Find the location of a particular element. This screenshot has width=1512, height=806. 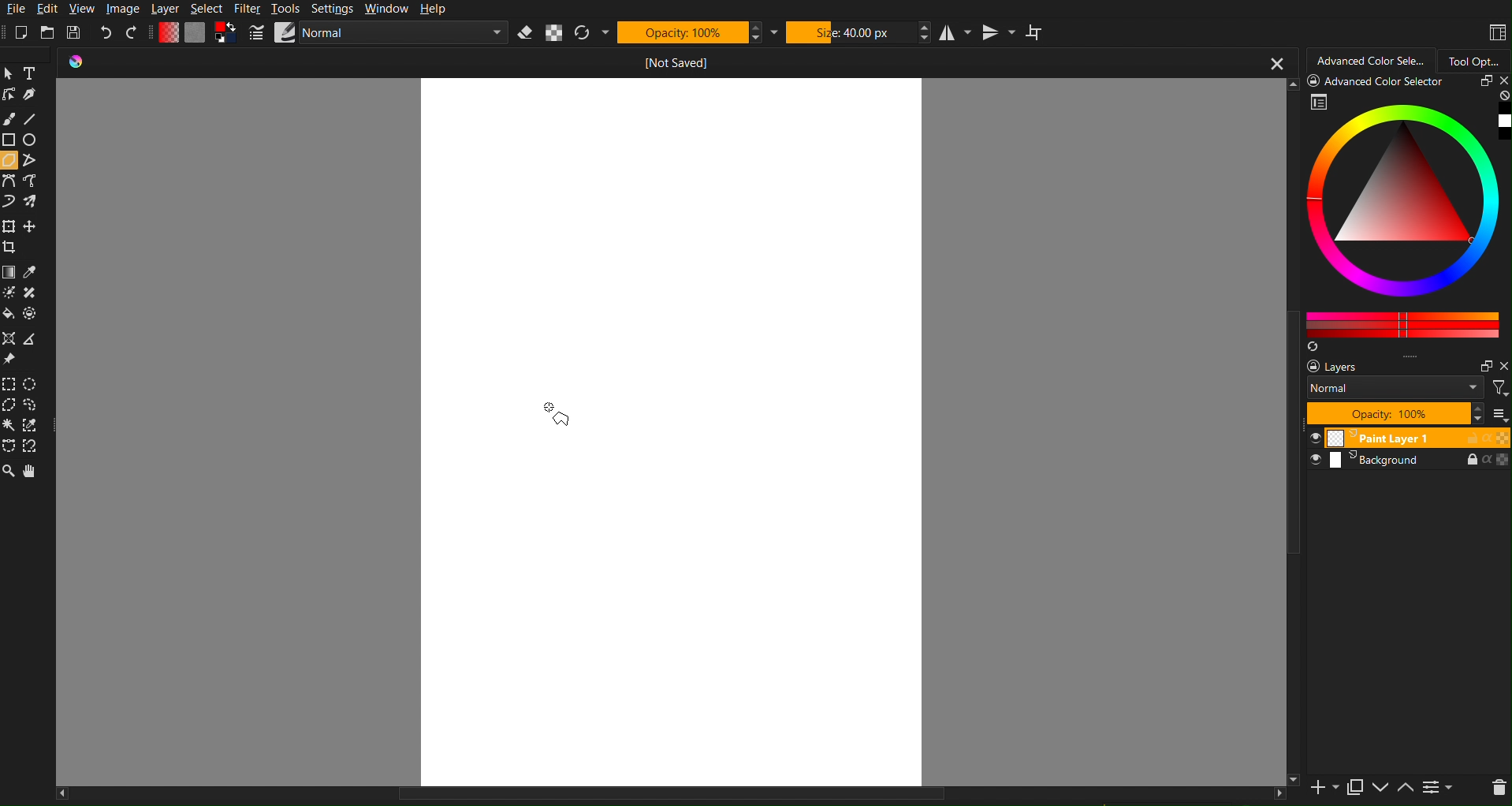

opacity: 100% is located at coordinates (1393, 414).